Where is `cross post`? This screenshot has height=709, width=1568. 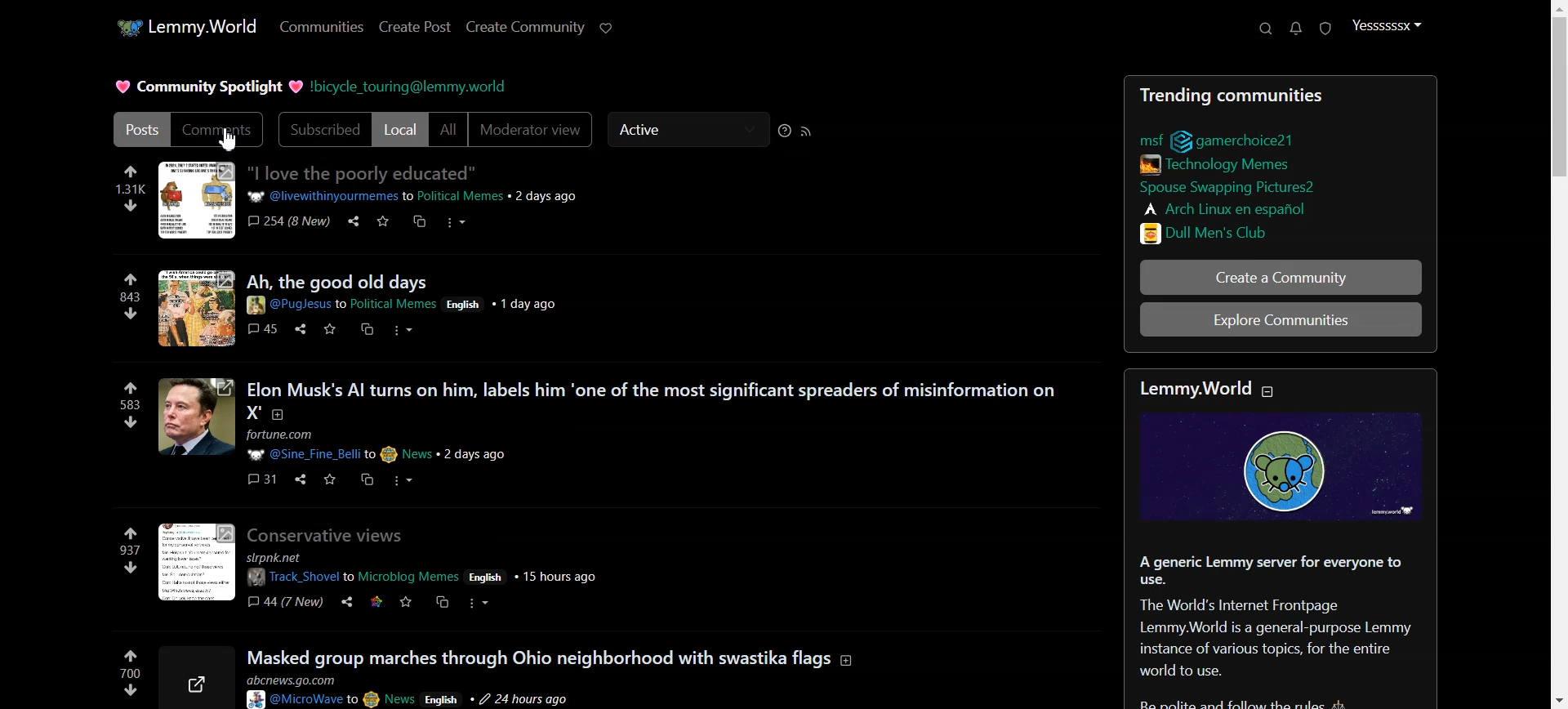 cross post is located at coordinates (365, 478).